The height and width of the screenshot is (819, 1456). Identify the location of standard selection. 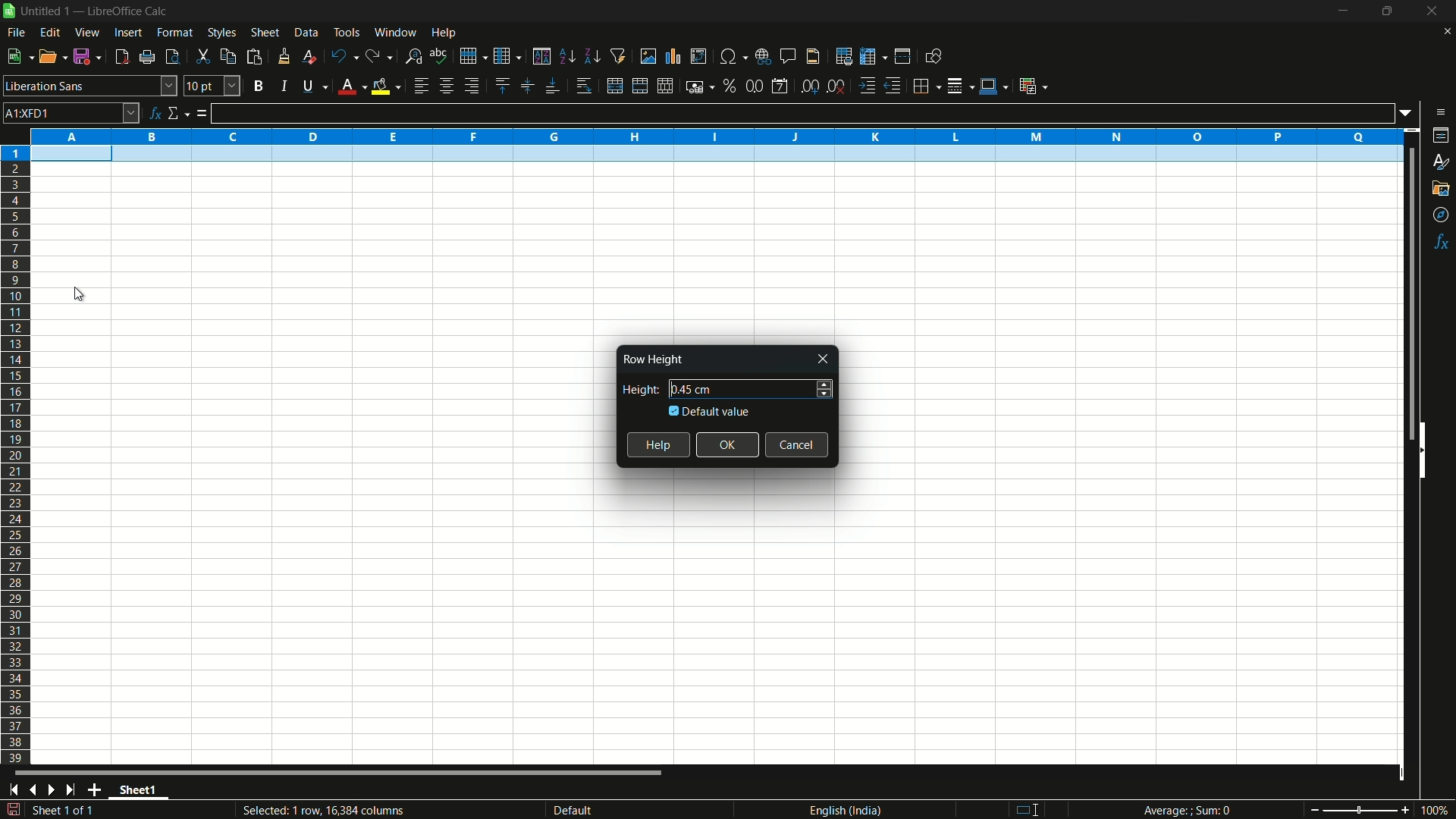
(1033, 809).